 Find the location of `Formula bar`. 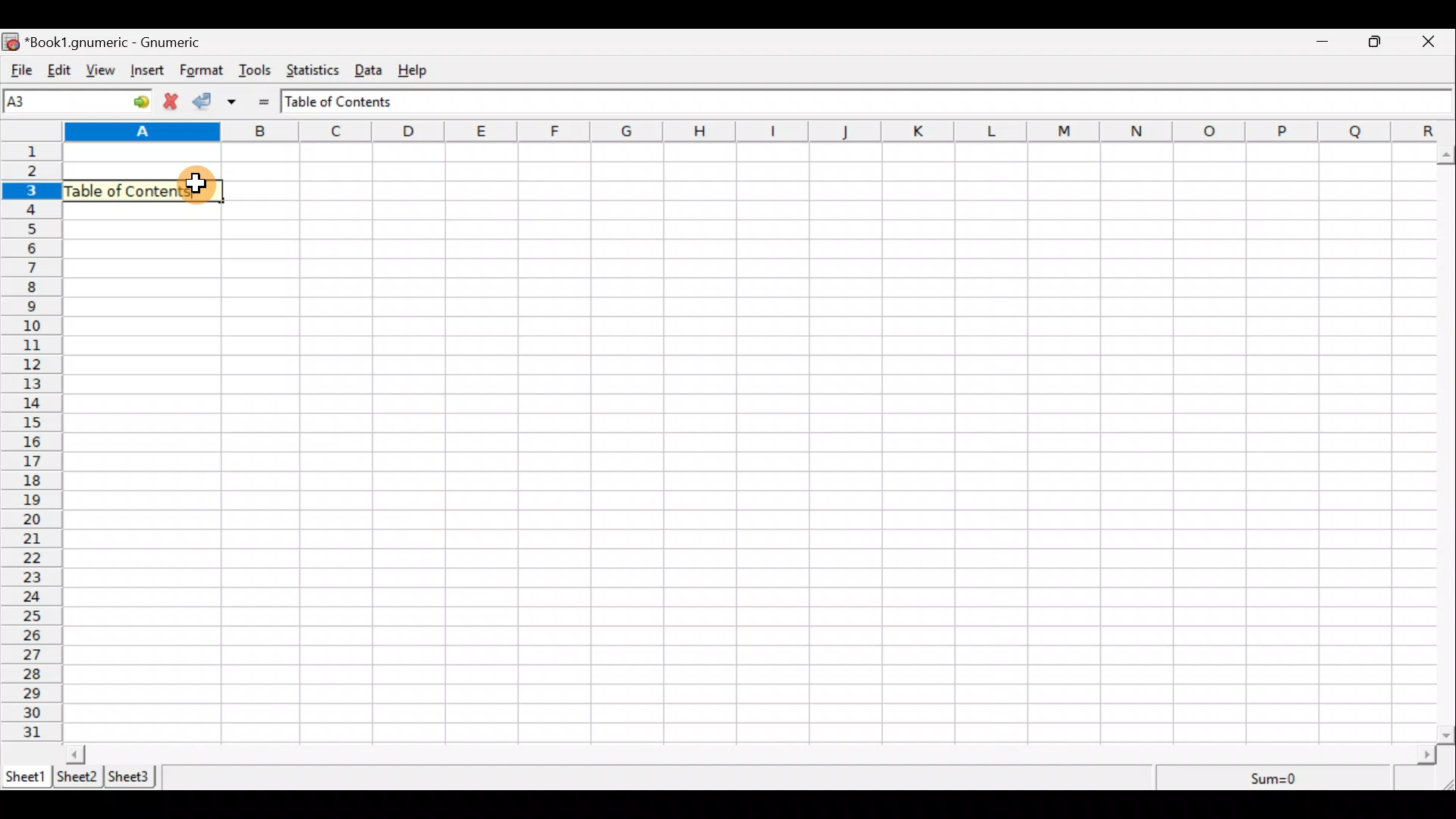

Formula bar is located at coordinates (859, 101).